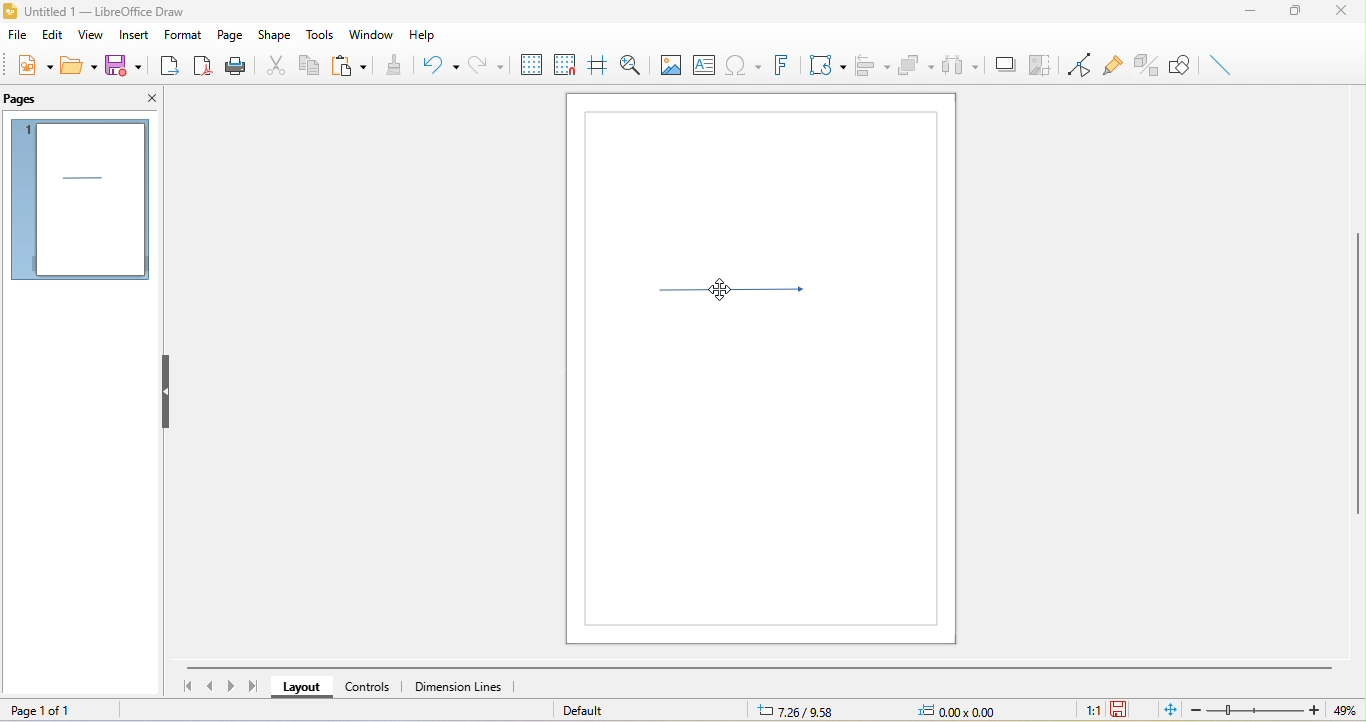  I want to click on window, so click(371, 33).